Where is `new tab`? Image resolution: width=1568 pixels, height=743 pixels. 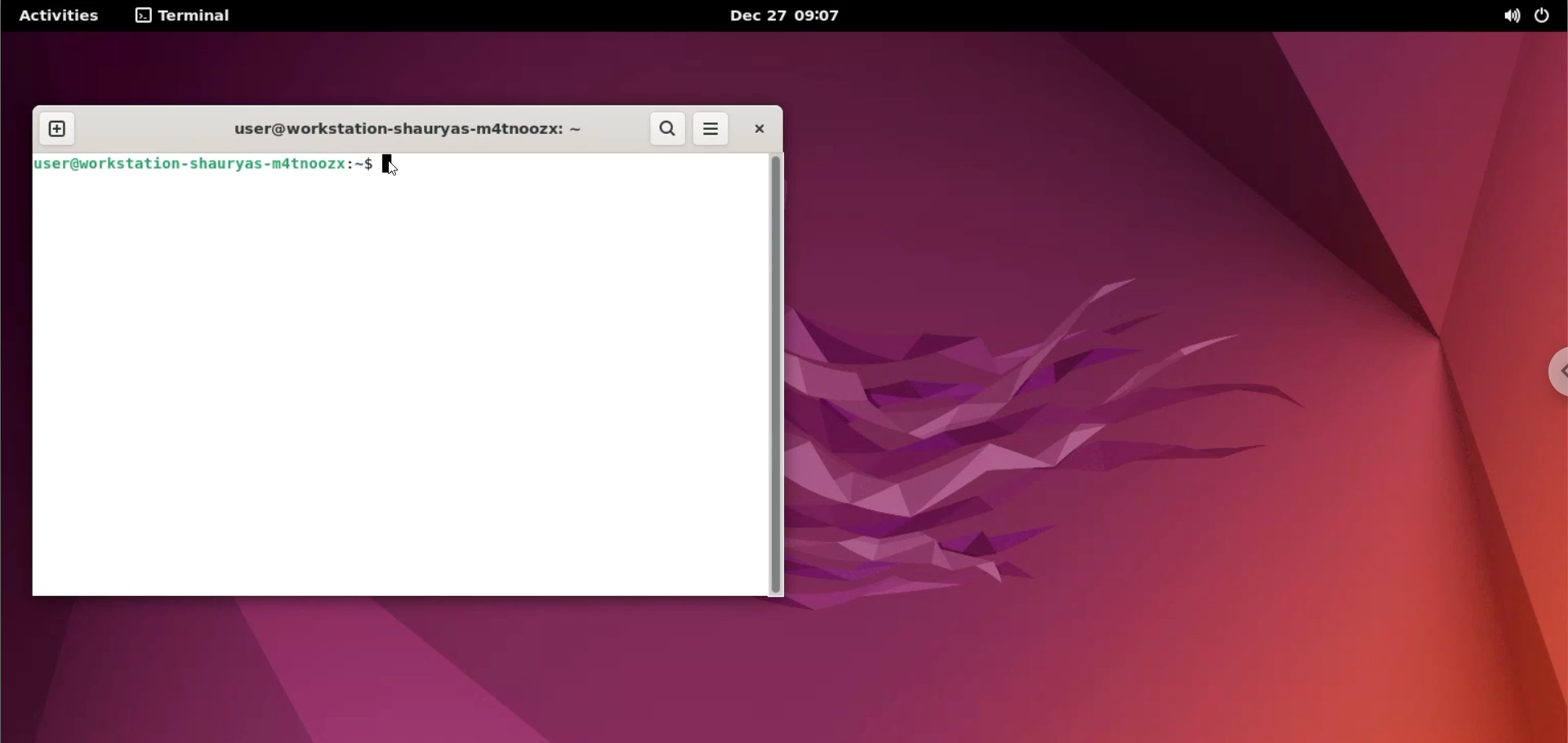 new tab is located at coordinates (51, 130).